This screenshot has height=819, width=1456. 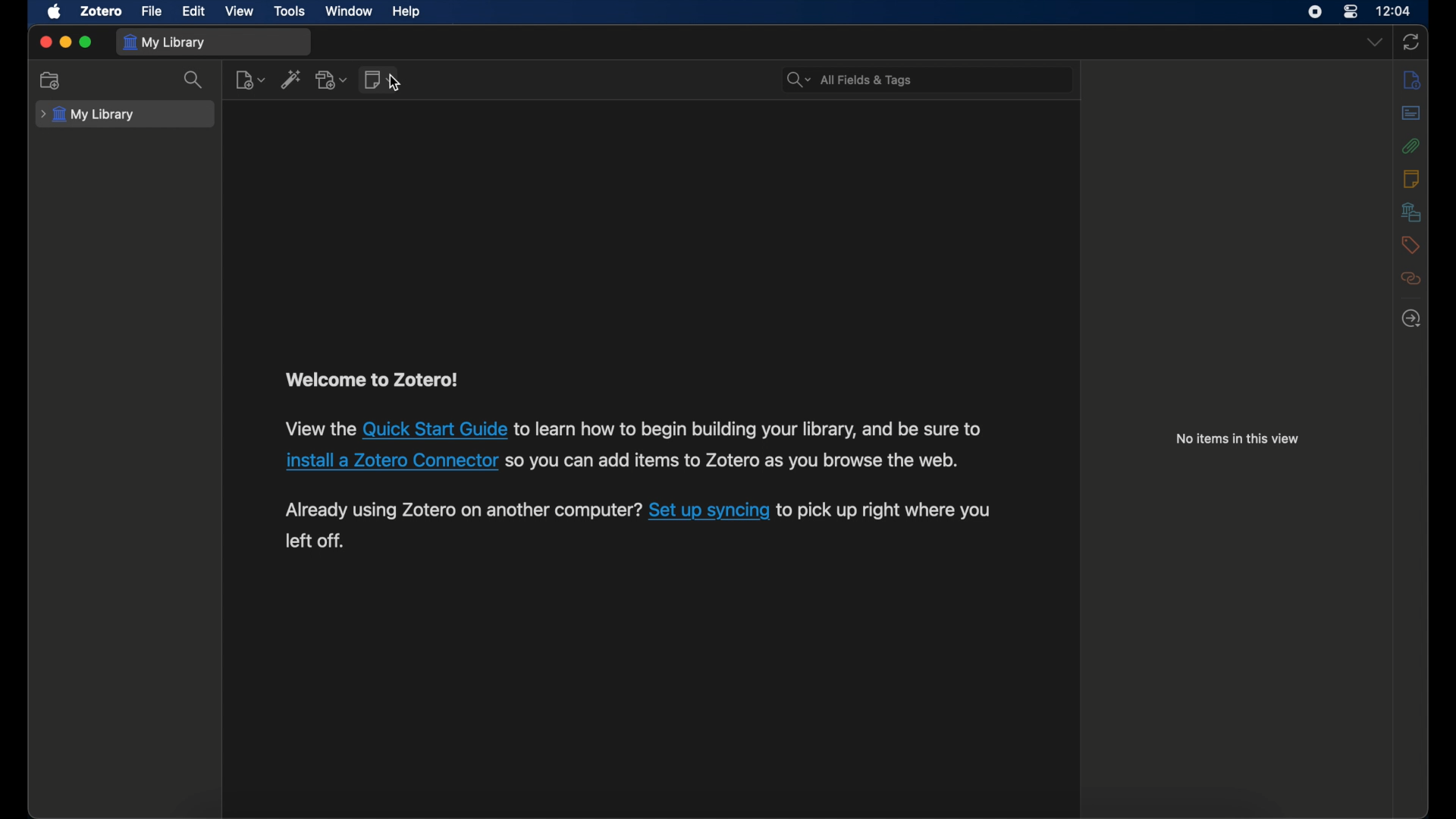 What do you see at coordinates (406, 12) in the screenshot?
I see `help` at bounding box center [406, 12].